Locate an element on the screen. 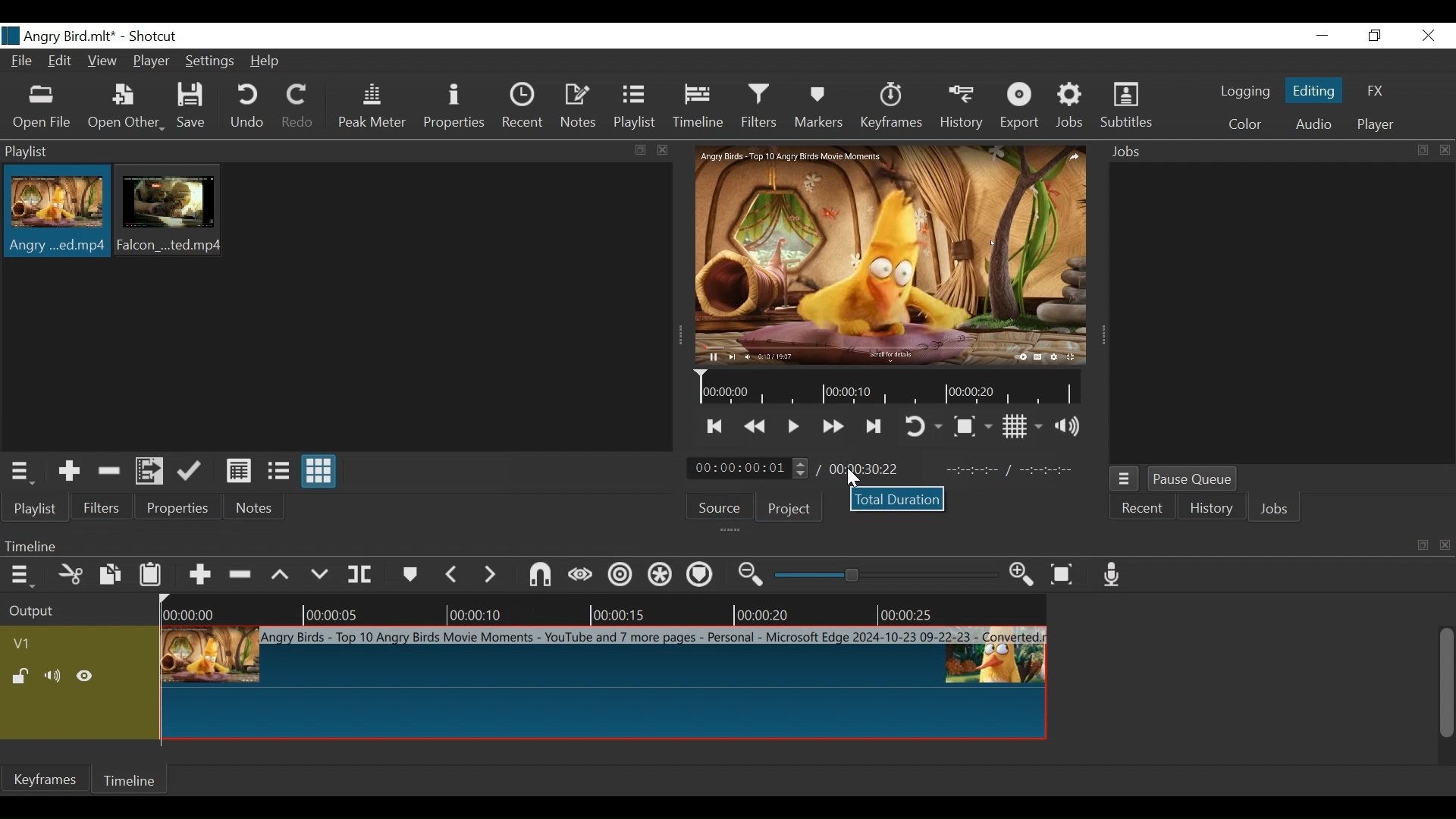  File Name is located at coordinates (62, 36).